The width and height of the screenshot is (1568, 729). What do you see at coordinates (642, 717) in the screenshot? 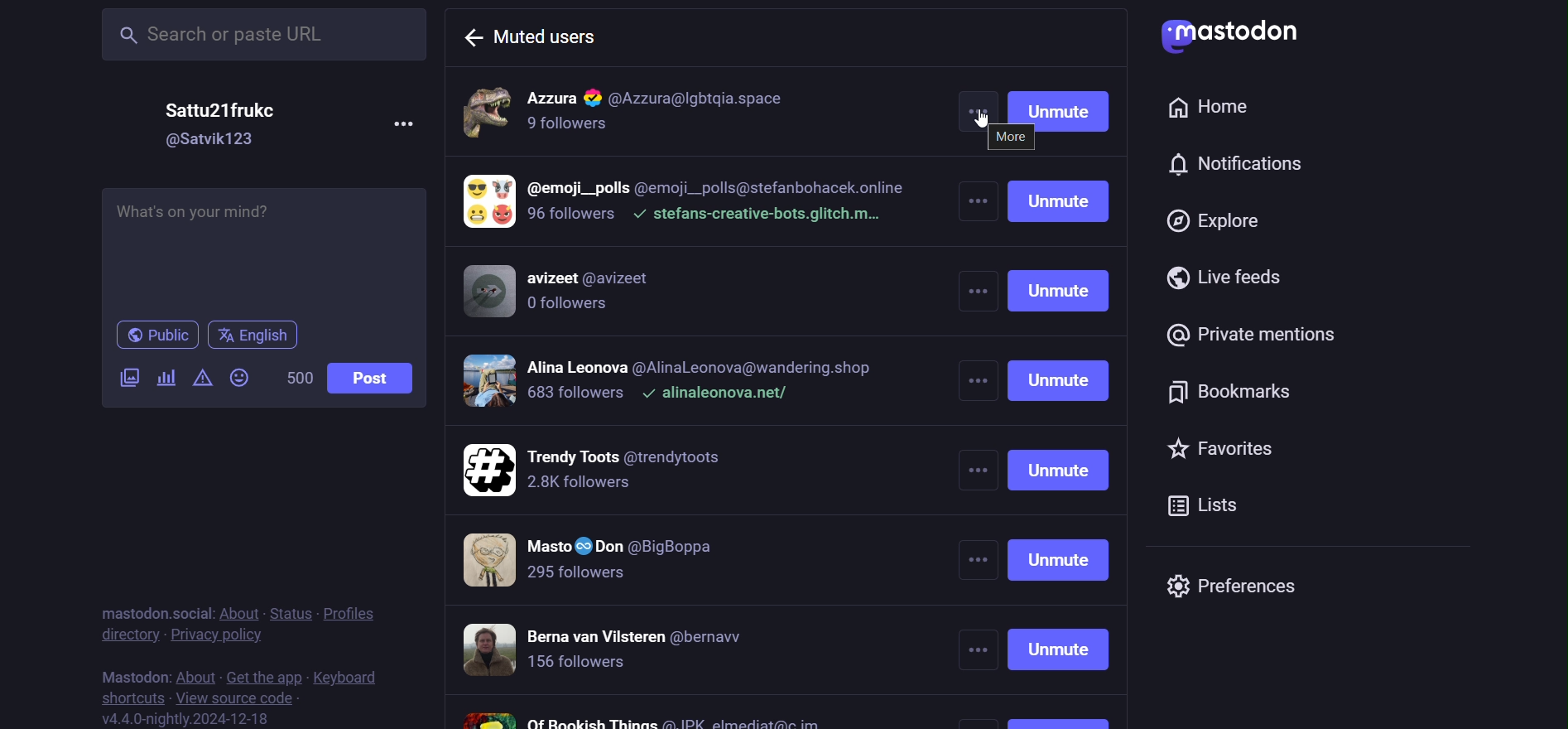
I see `muter users 8` at bounding box center [642, 717].